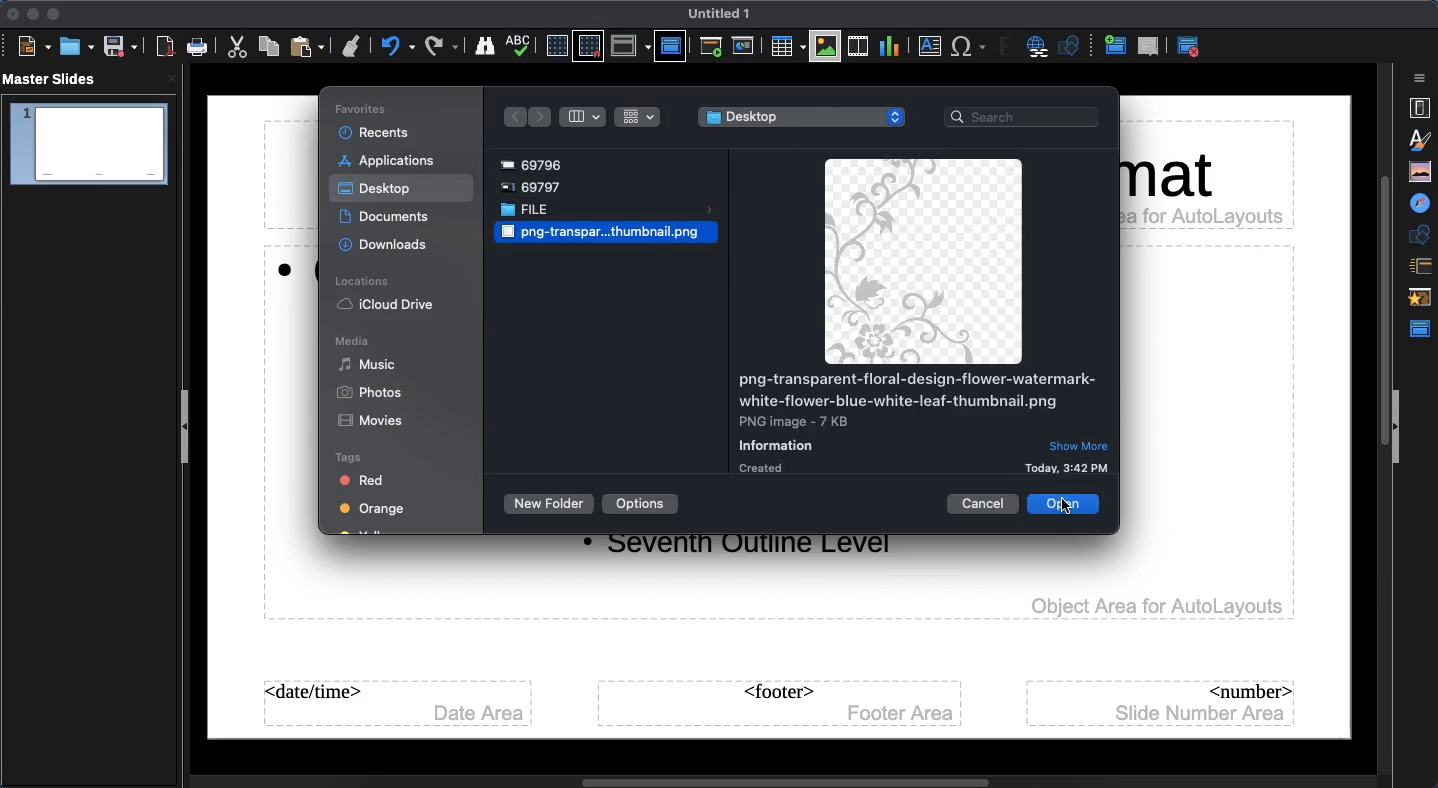 This screenshot has width=1438, height=788. Describe the element at coordinates (56, 80) in the screenshot. I see `Master slides` at that location.